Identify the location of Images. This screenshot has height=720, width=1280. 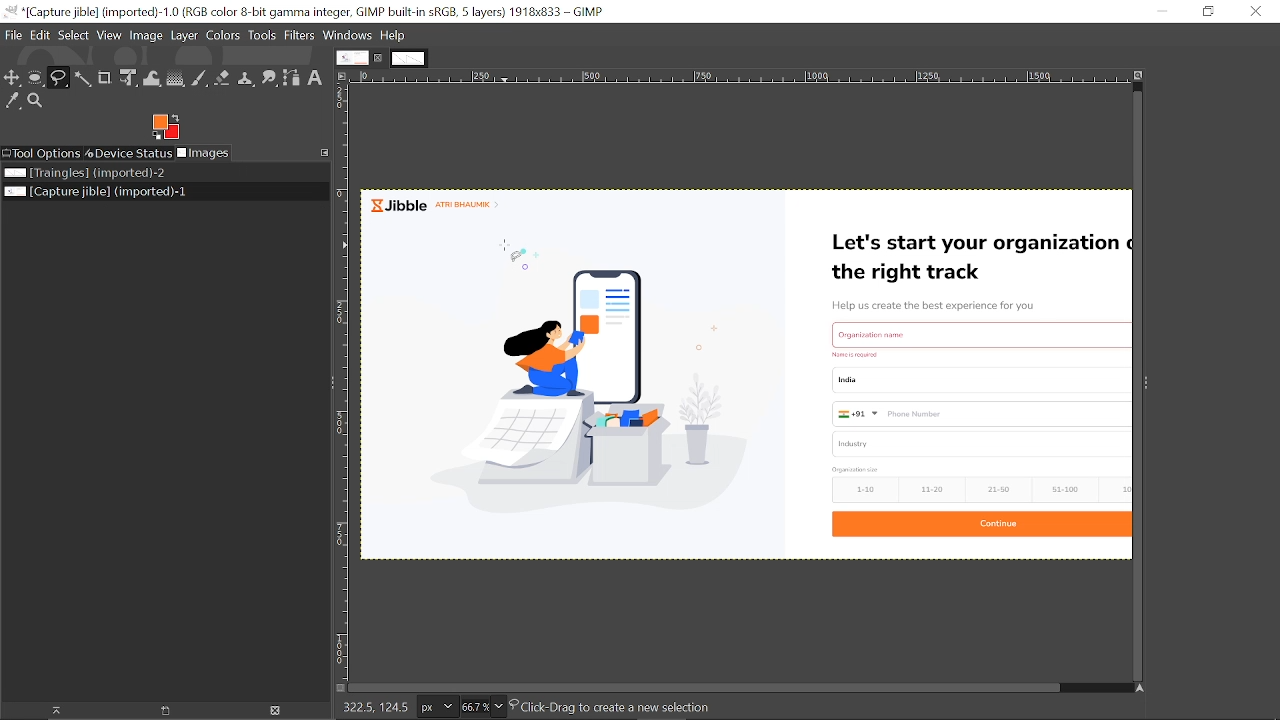
(203, 153).